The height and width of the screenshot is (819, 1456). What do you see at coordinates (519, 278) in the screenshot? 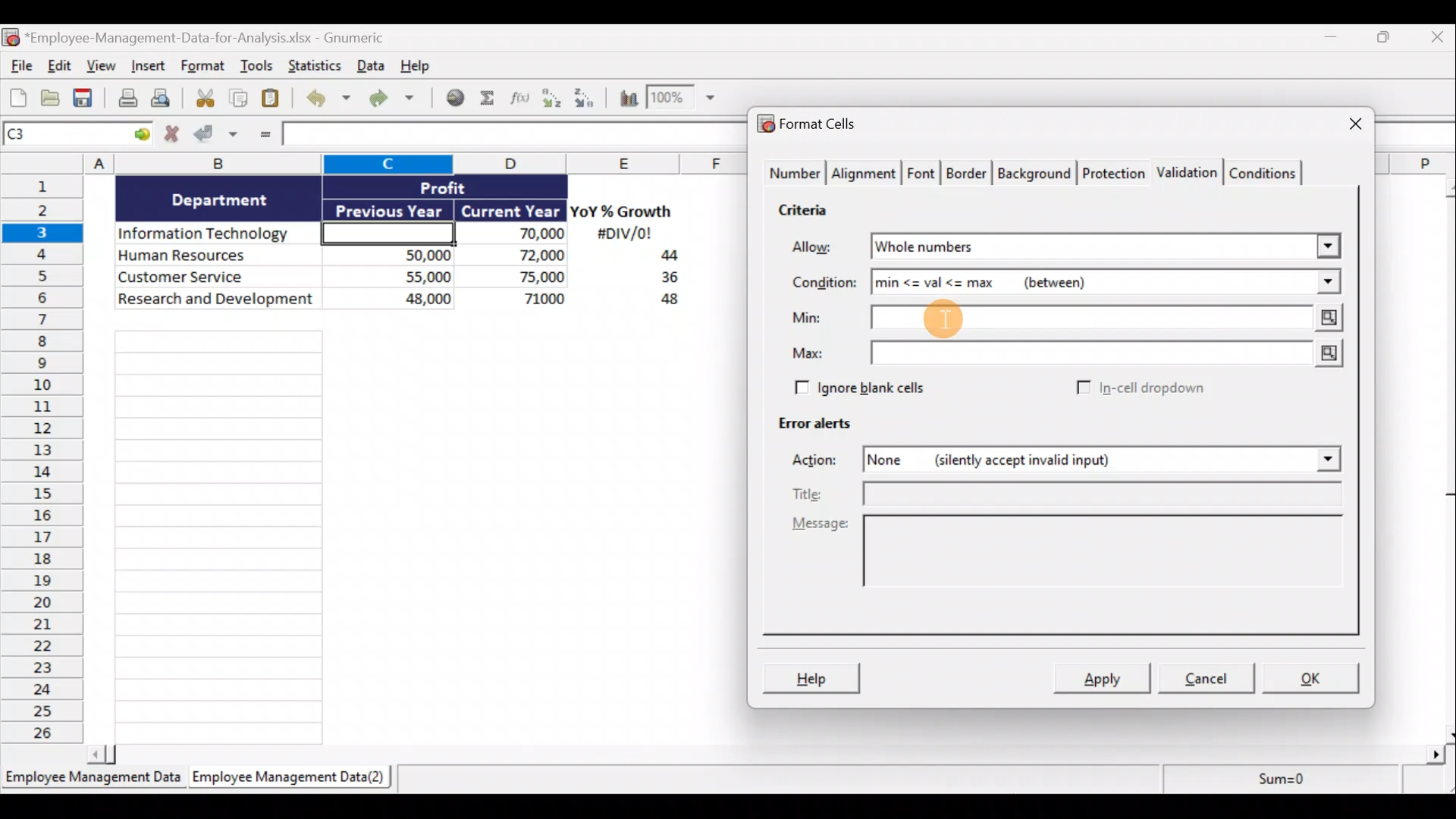
I see `75,000` at bounding box center [519, 278].